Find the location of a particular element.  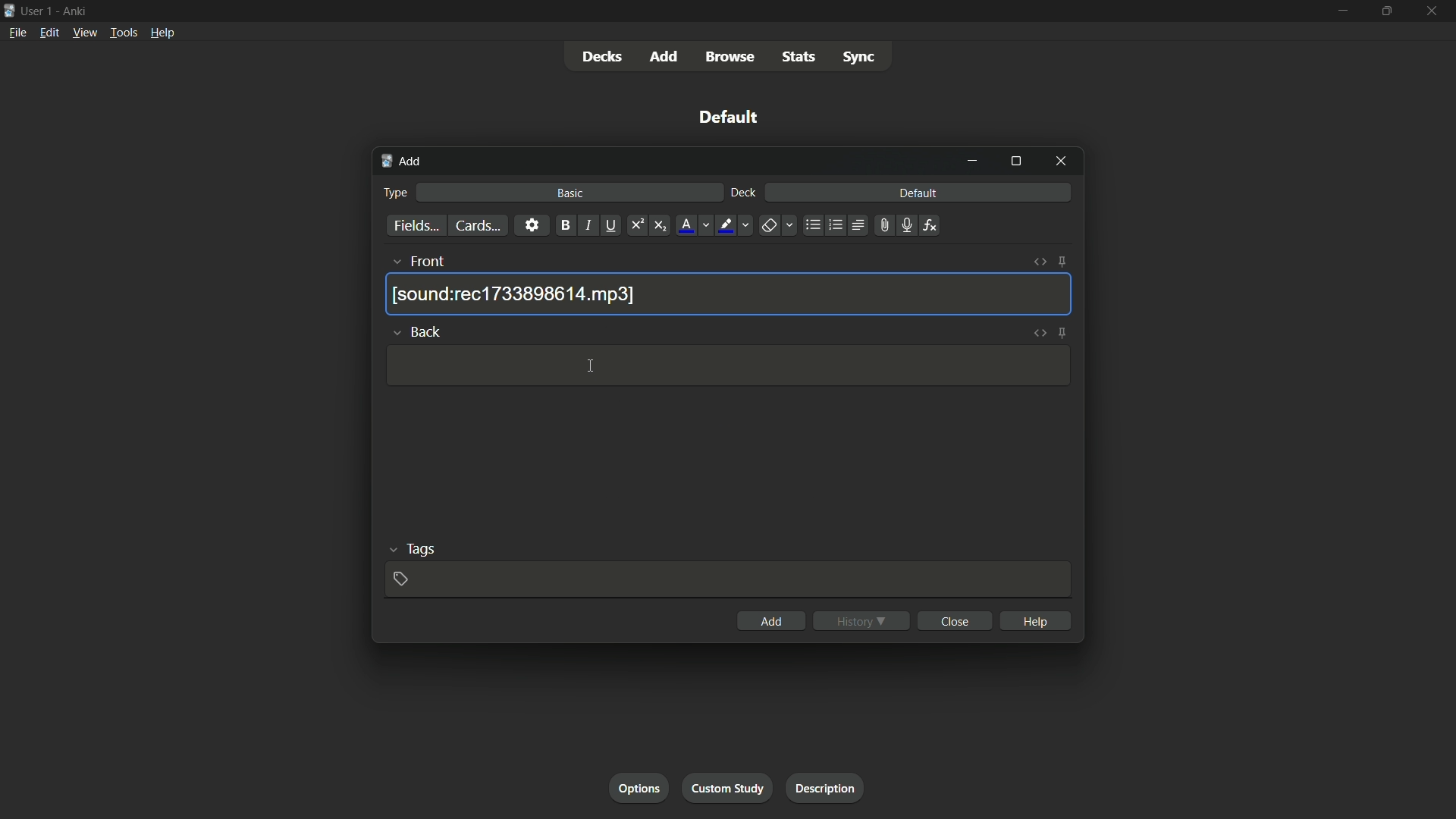

bold is located at coordinates (563, 225).